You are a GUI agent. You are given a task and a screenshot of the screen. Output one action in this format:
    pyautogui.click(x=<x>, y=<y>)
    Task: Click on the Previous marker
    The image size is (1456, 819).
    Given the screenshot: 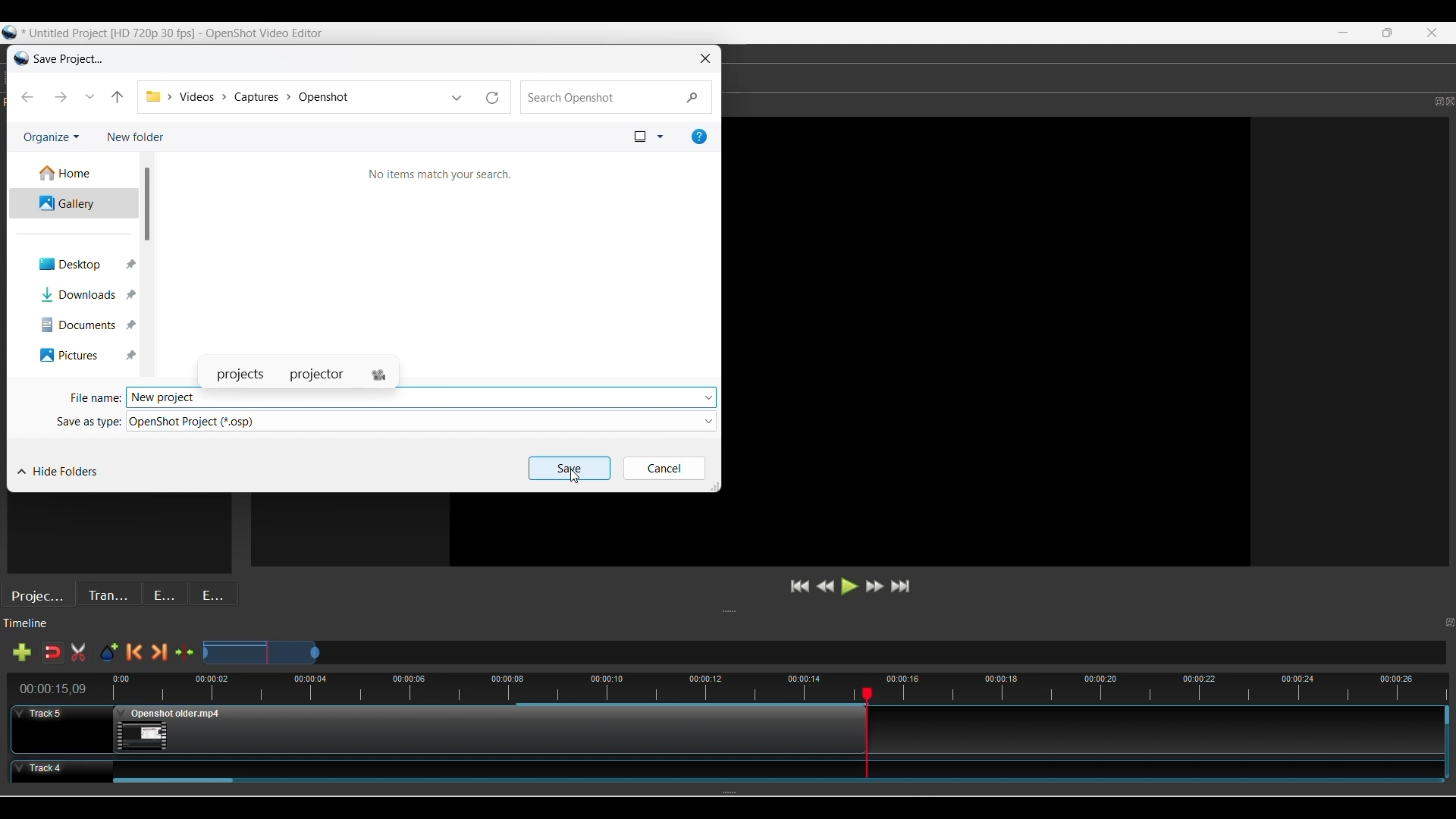 What is the action you would take?
    pyautogui.click(x=133, y=652)
    